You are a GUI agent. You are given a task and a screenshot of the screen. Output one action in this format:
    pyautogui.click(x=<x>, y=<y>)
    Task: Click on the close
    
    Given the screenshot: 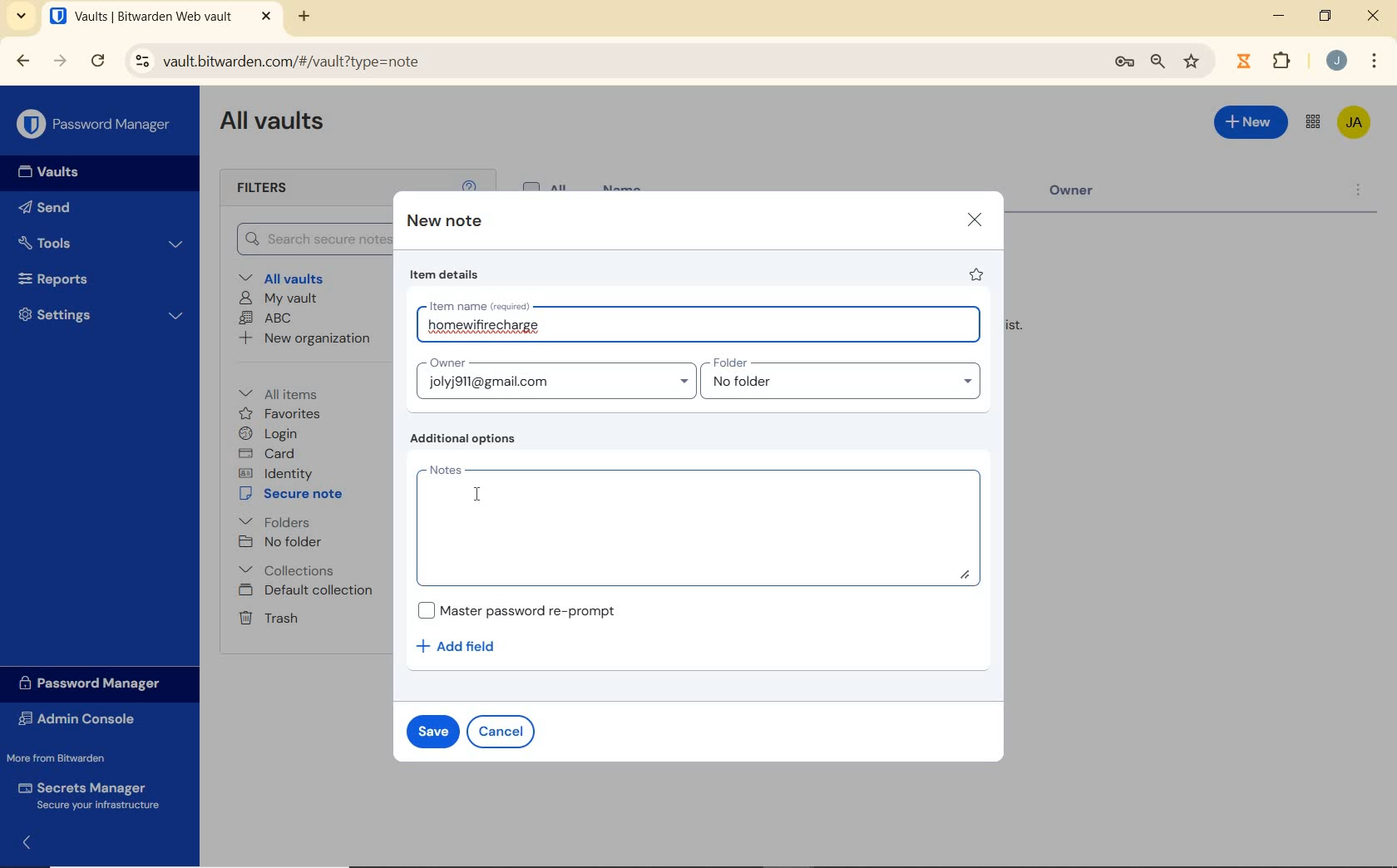 What is the action you would take?
    pyautogui.click(x=974, y=220)
    